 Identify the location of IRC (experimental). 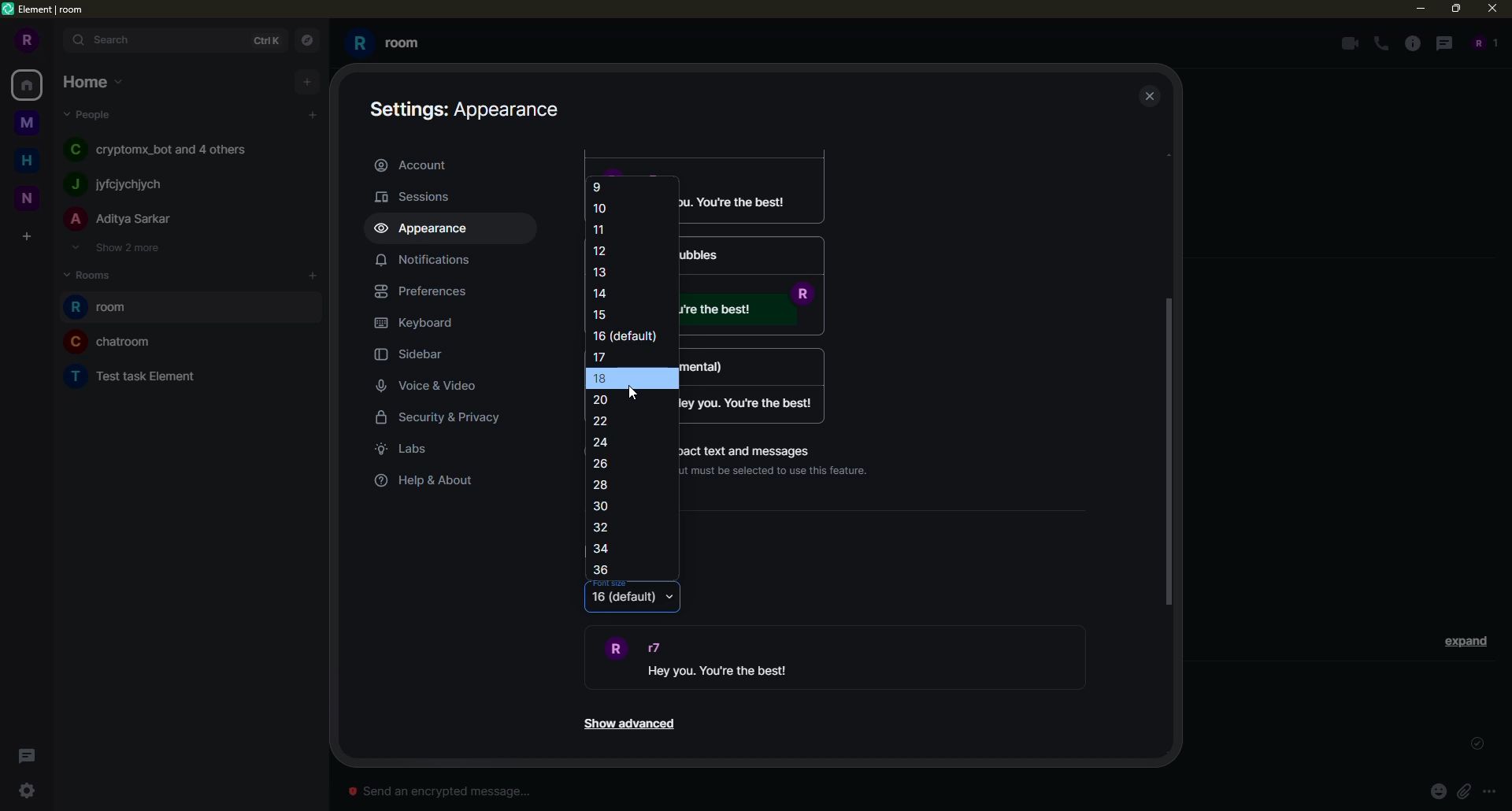
(746, 363).